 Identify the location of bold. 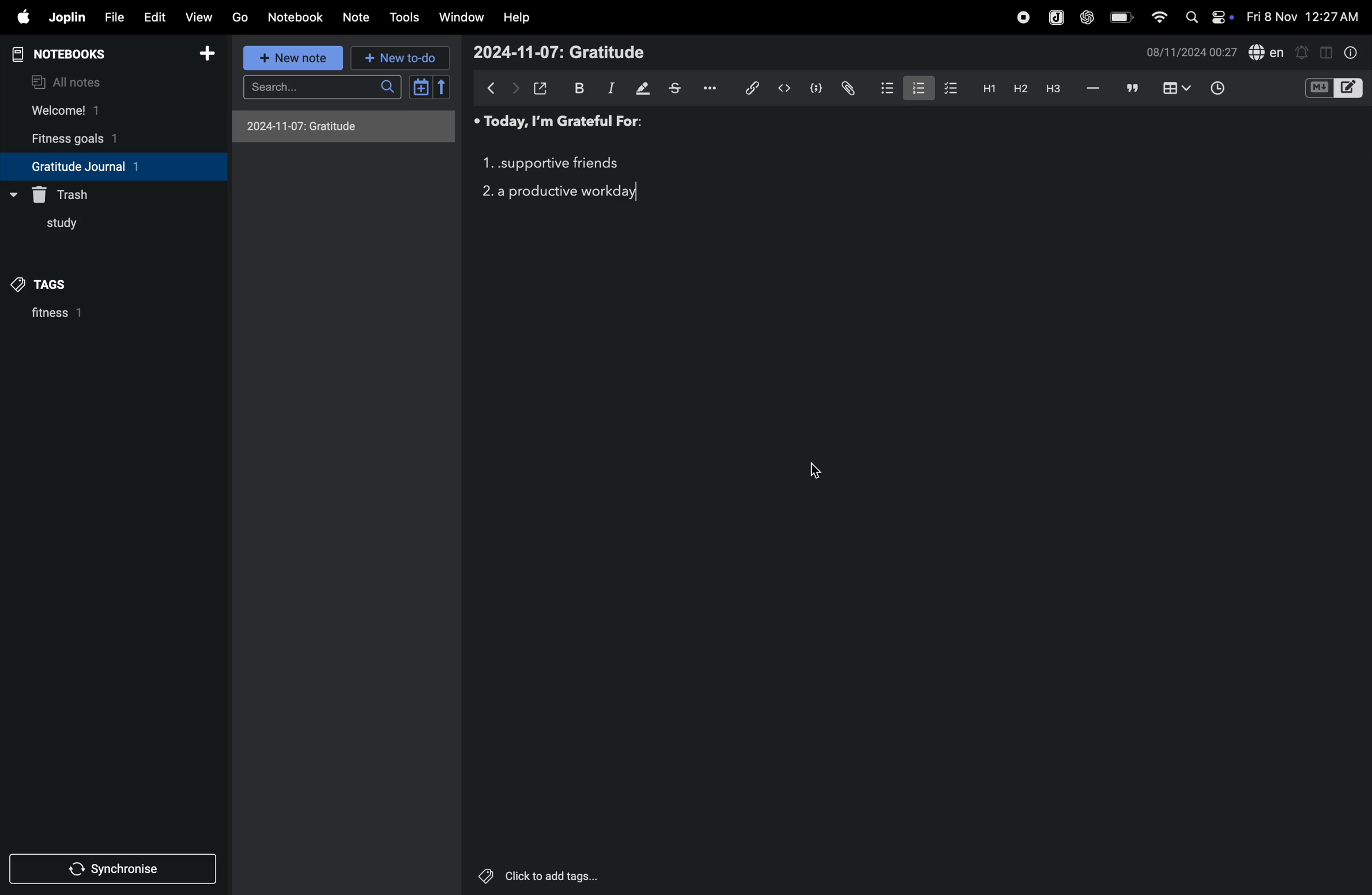
(578, 87).